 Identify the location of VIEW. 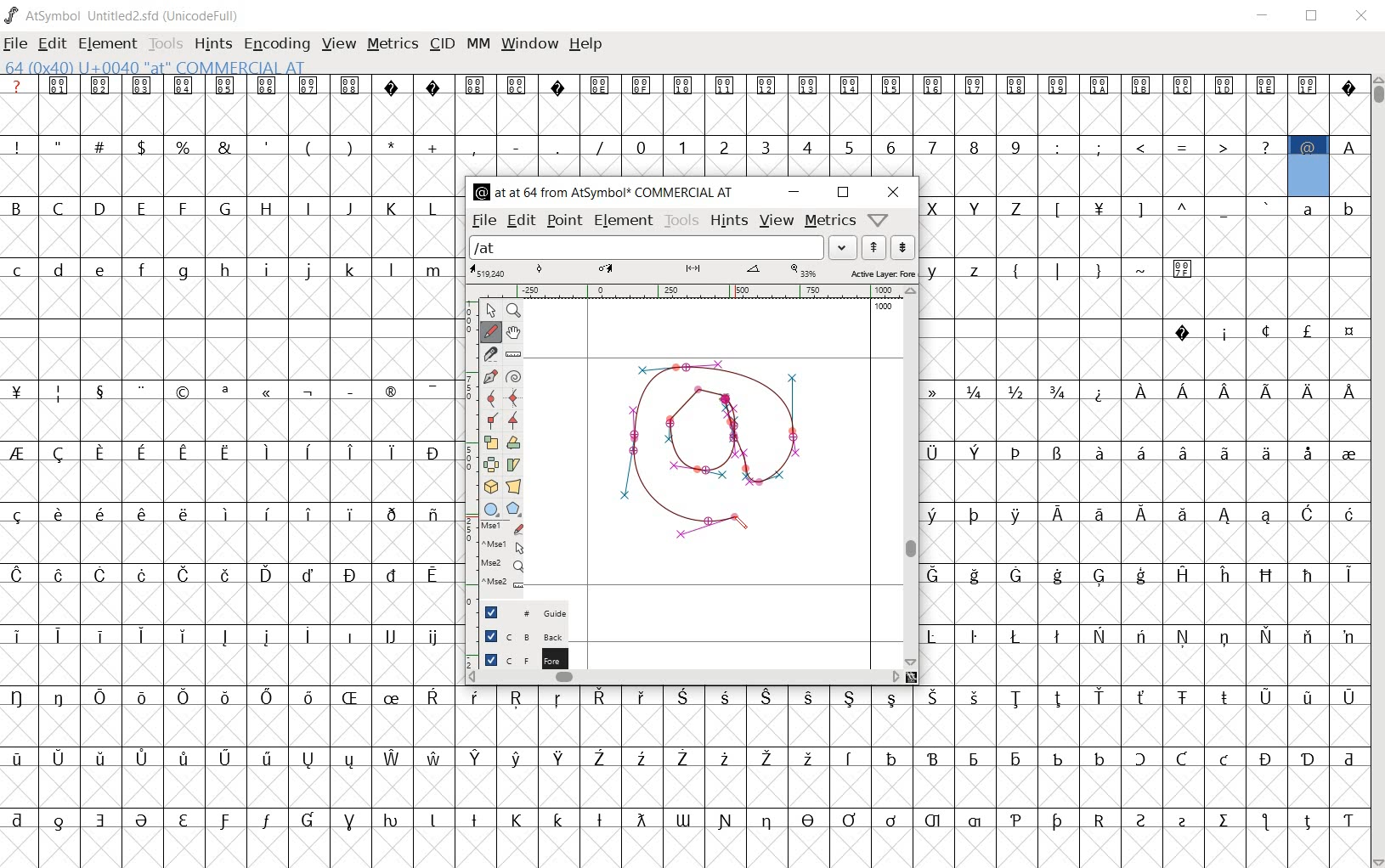
(339, 47).